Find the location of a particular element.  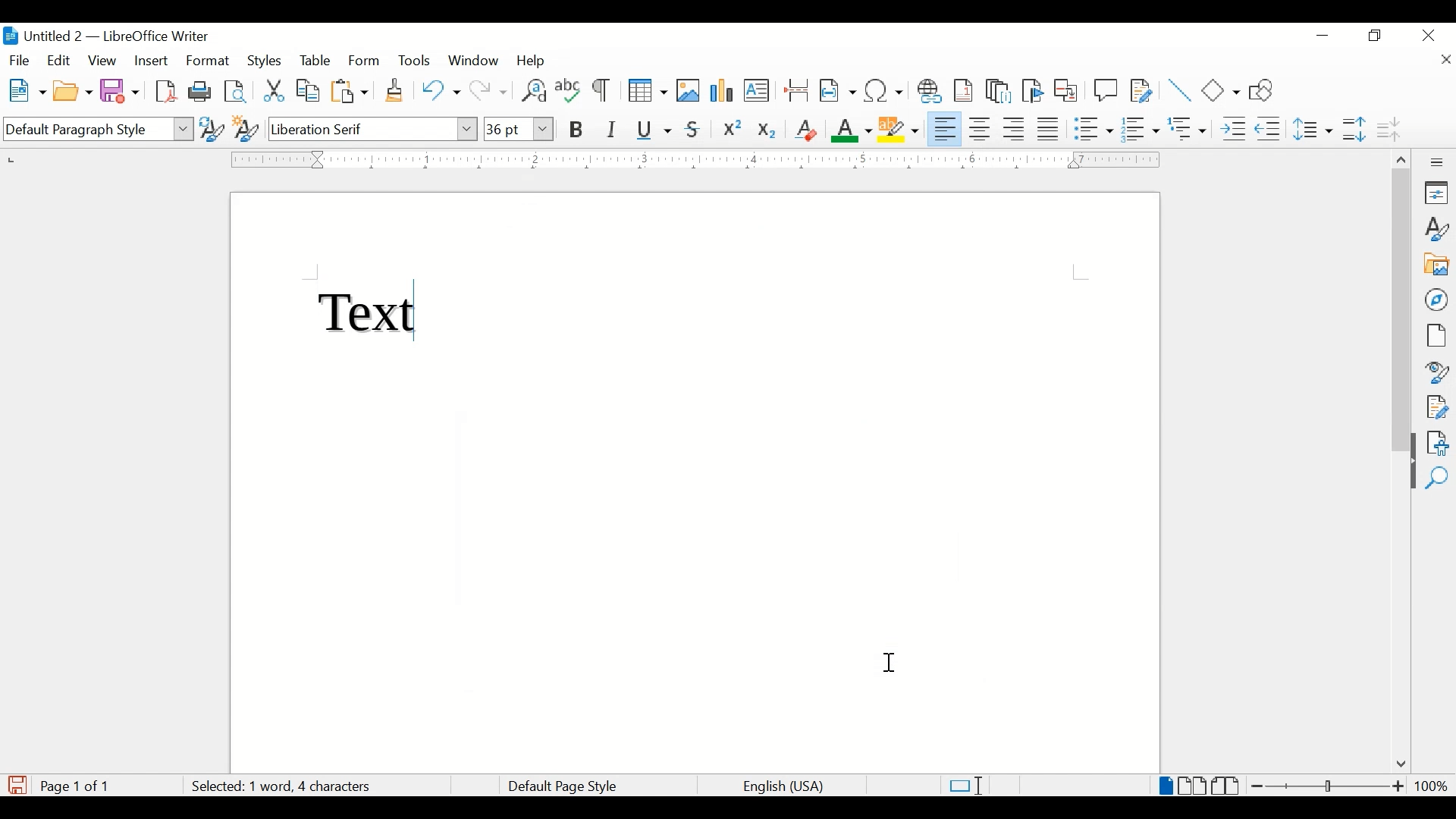

insert special characters is located at coordinates (884, 89).